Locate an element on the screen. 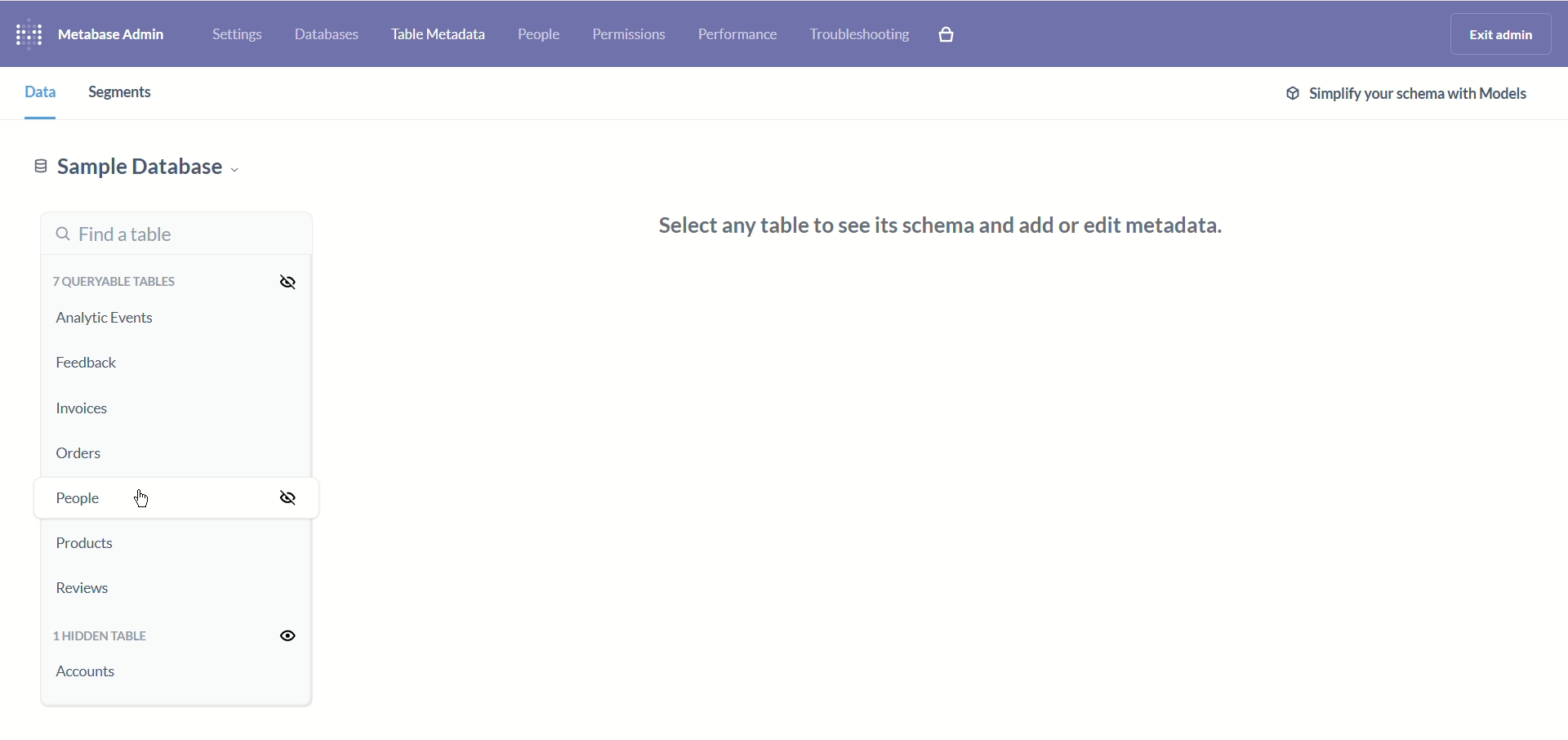 Image resolution: width=1568 pixels, height=740 pixels. Table Metadata is located at coordinates (440, 37).